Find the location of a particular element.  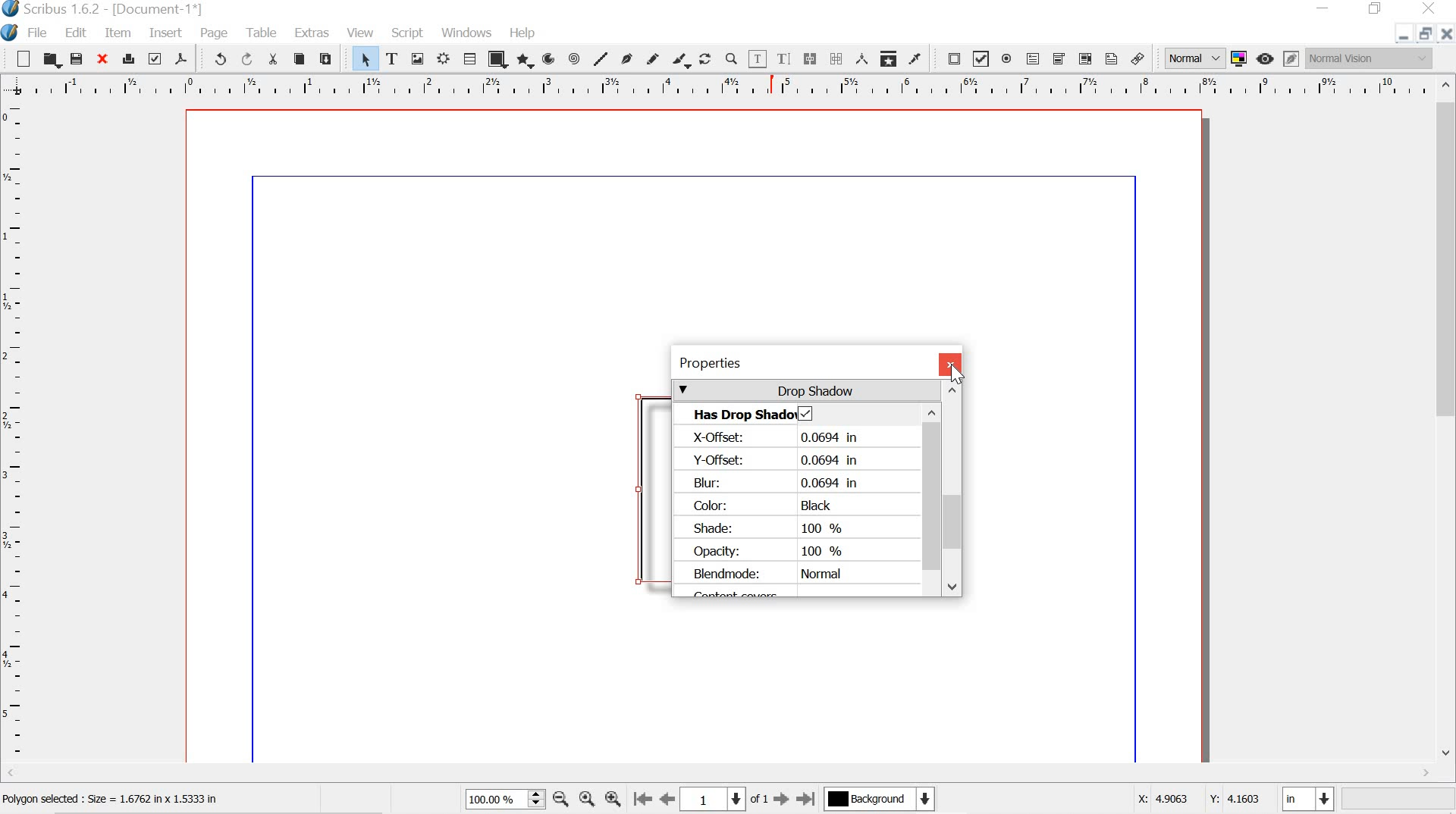

normal vision is located at coordinates (1370, 58).